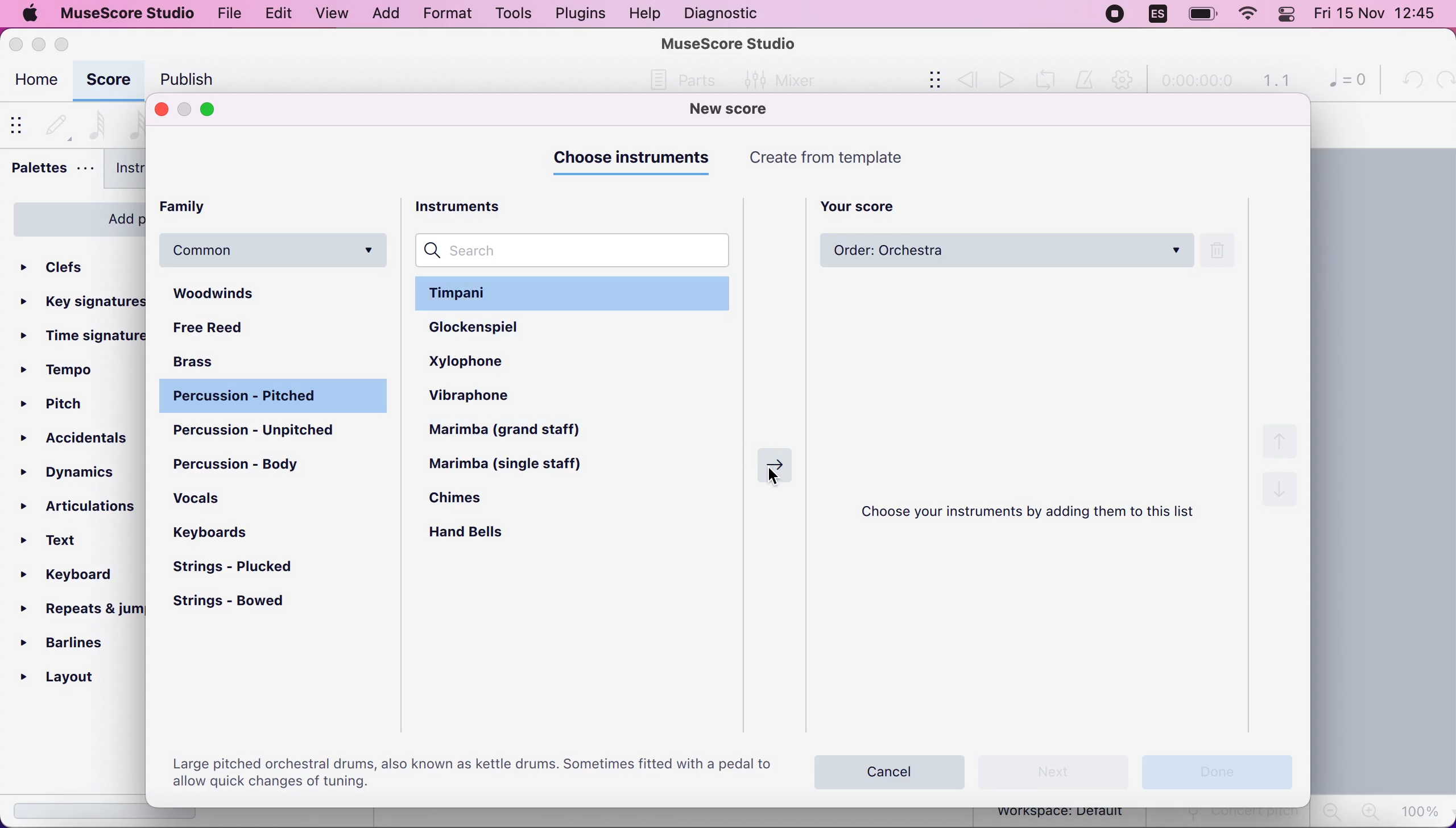  I want to click on hand bells, so click(478, 534).